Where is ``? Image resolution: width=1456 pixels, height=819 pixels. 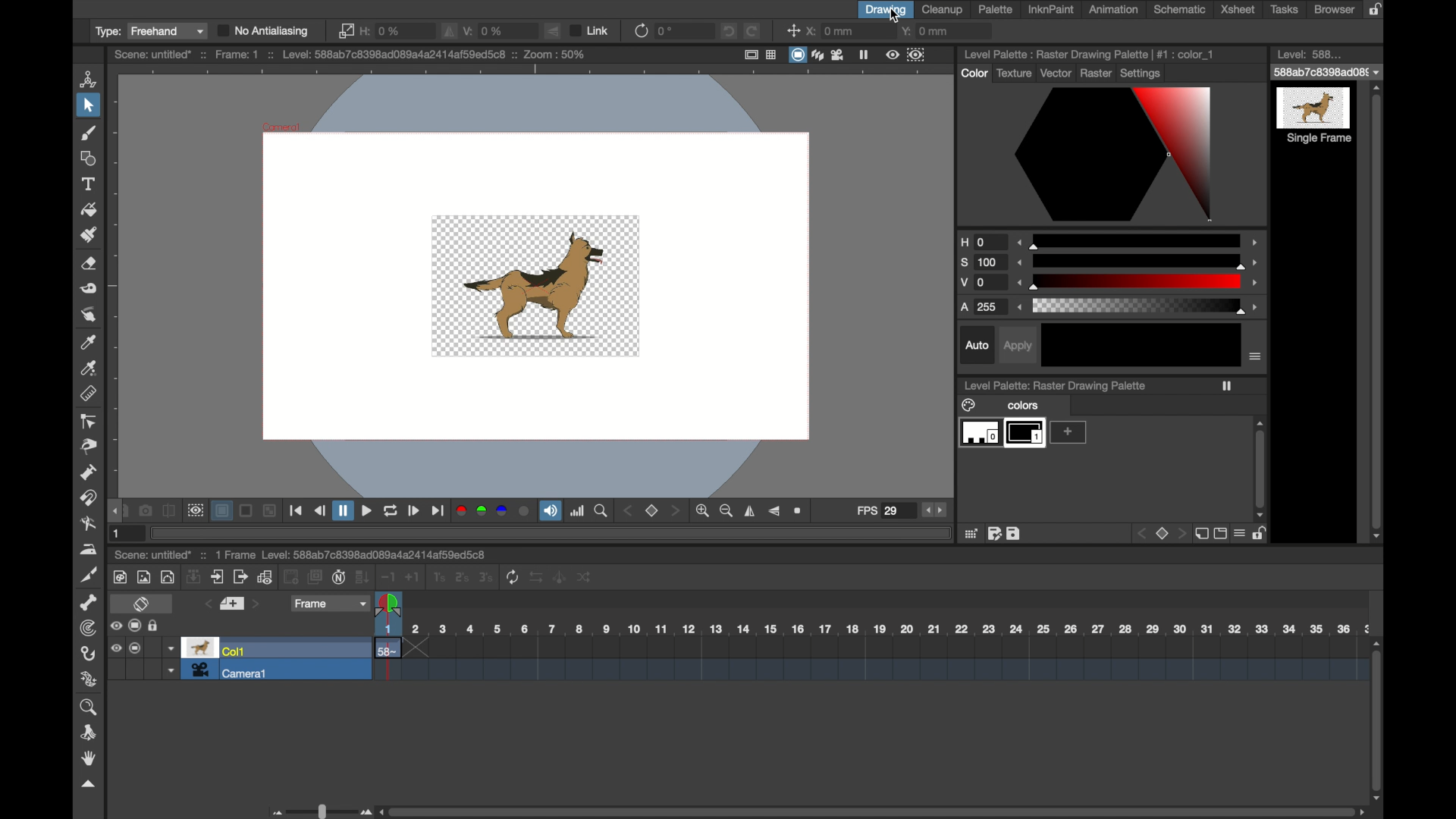  is located at coordinates (1141, 261).